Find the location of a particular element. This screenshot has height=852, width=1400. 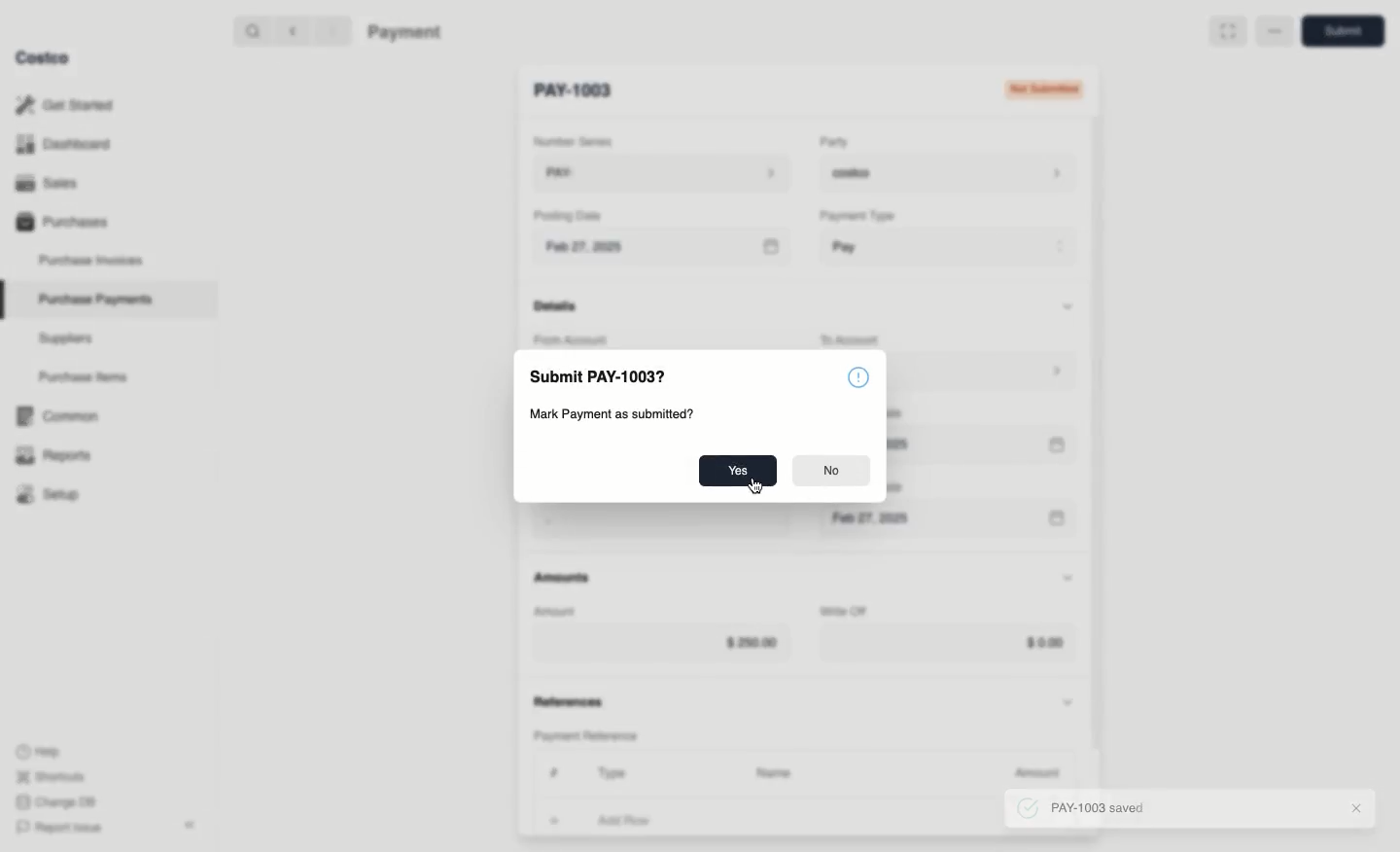

Report Issue is located at coordinates (59, 829).